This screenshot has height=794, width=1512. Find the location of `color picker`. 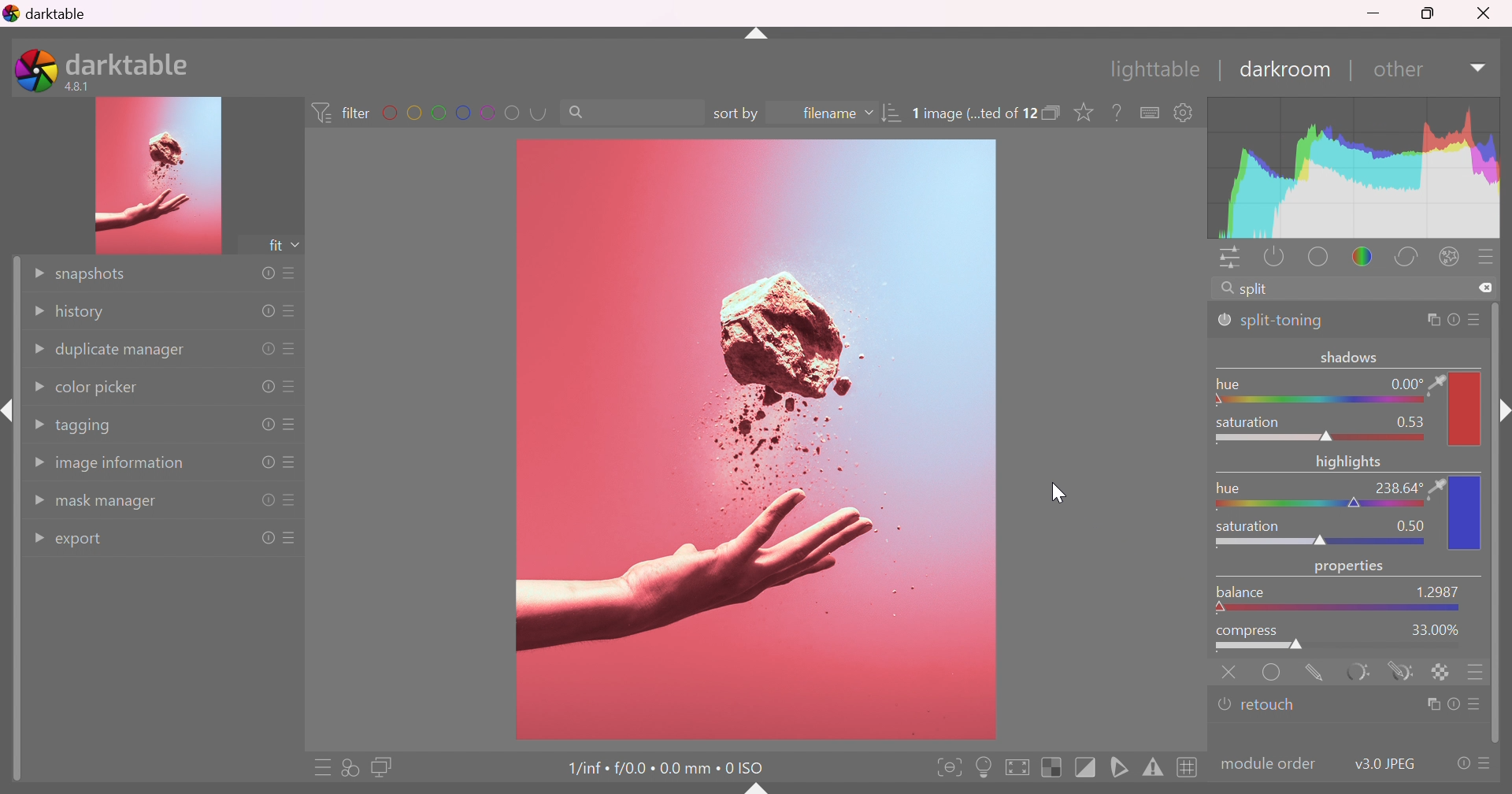

color picker is located at coordinates (1435, 382).